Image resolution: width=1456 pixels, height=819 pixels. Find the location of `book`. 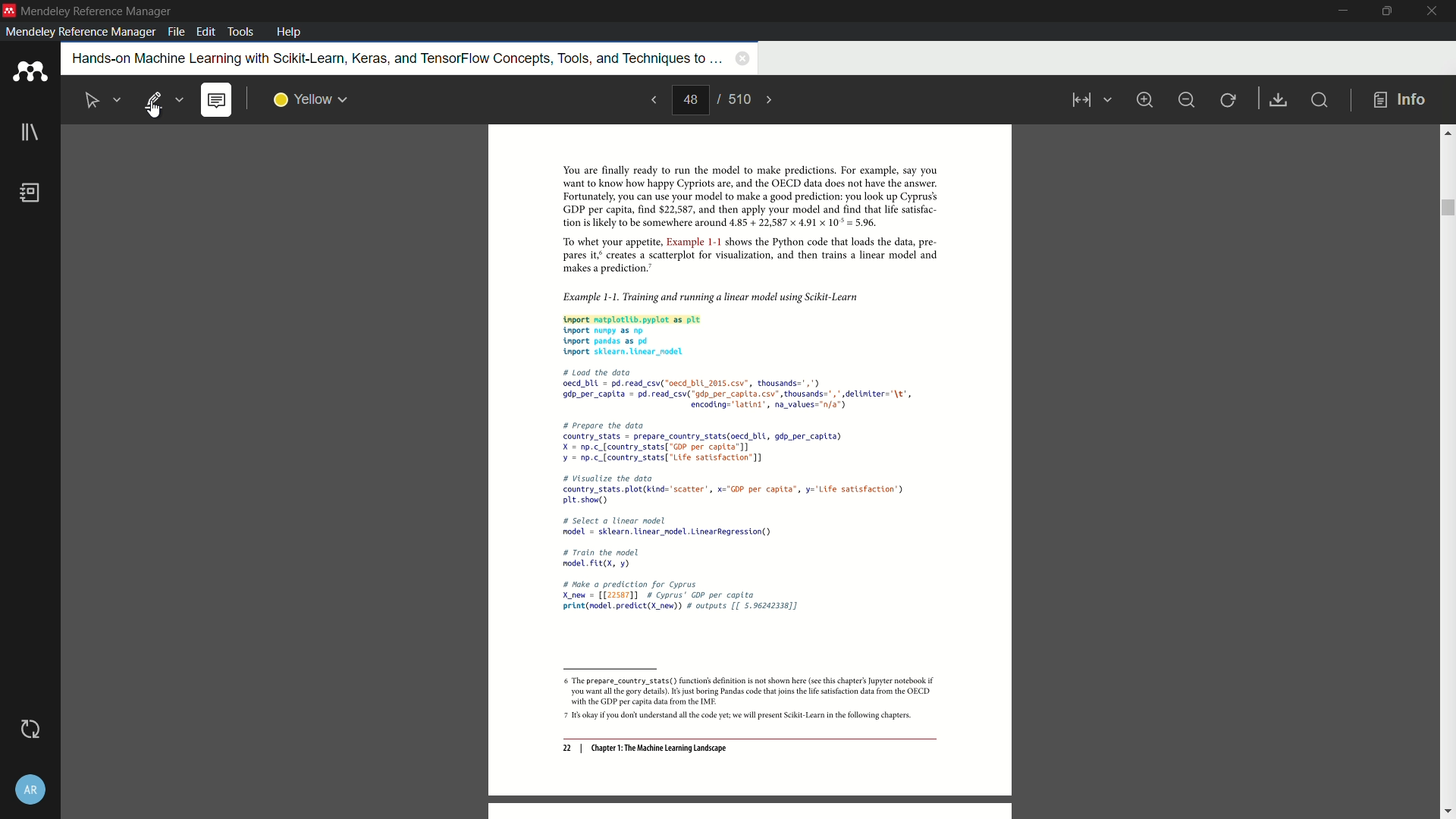

book is located at coordinates (31, 193).